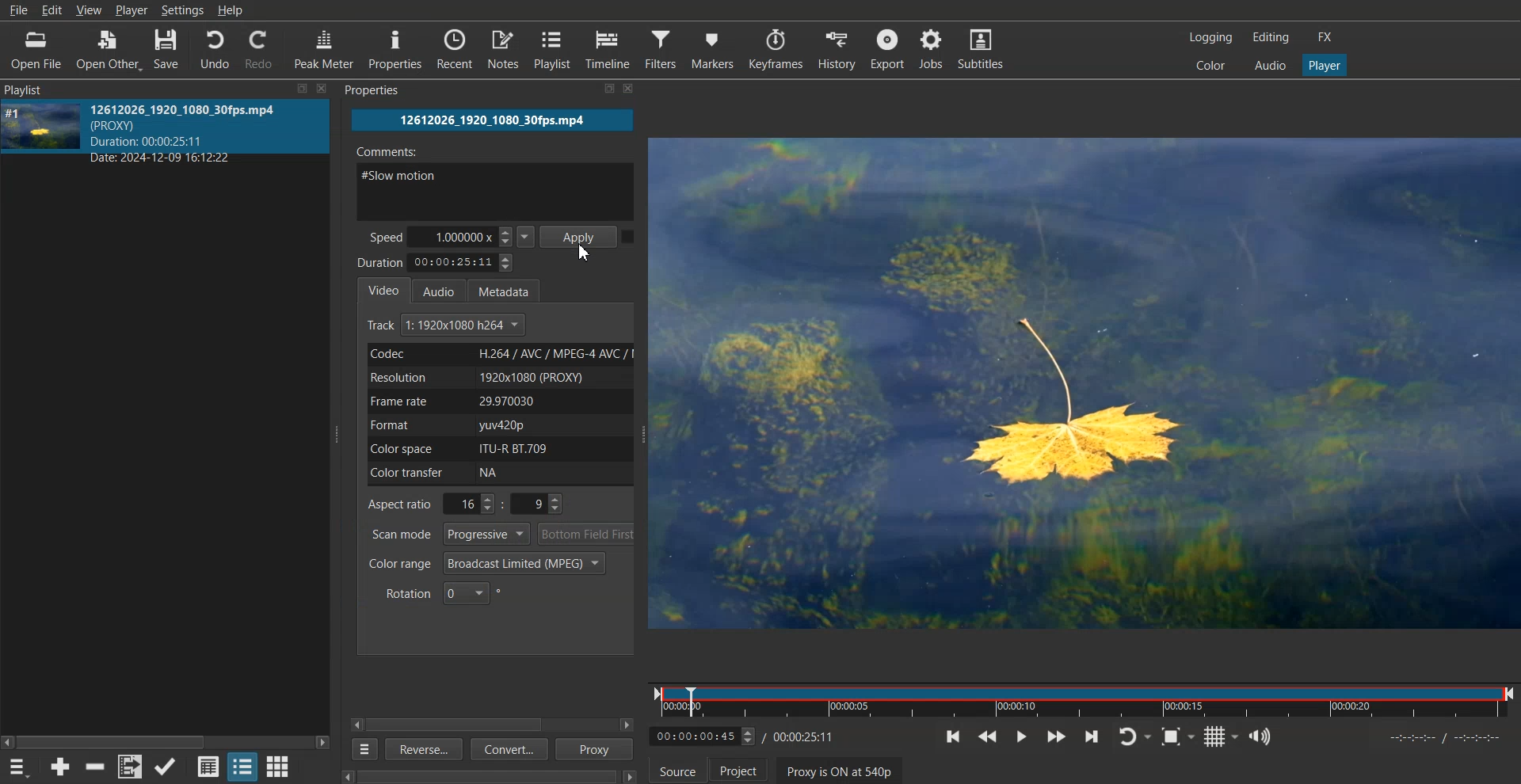 The image size is (1521, 784). I want to click on Timeline, so click(1083, 698).